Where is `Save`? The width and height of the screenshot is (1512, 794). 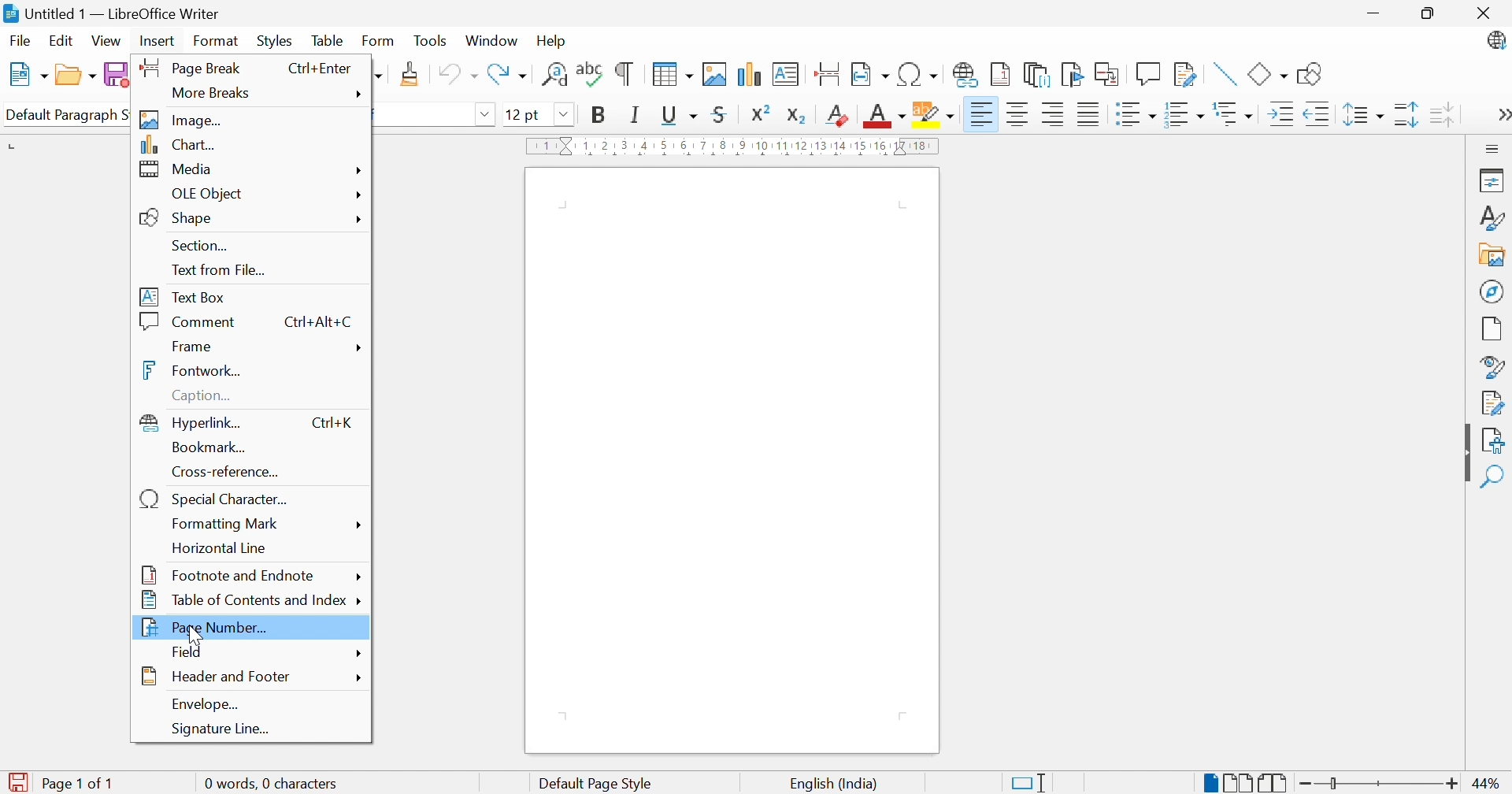 Save is located at coordinates (17, 783).